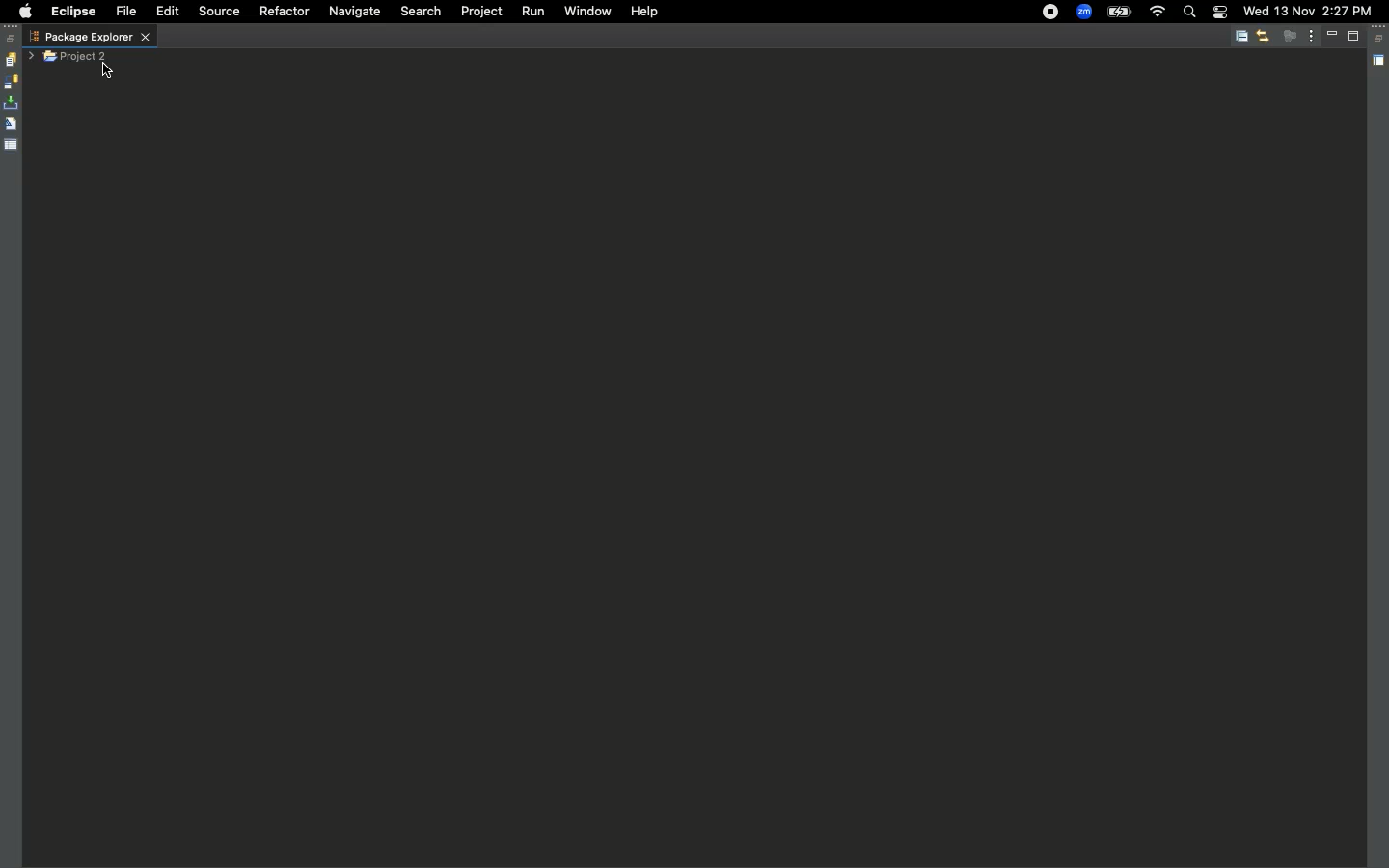  What do you see at coordinates (477, 12) in the screenshot?
I see `Project` at bounding box center [477, 12].